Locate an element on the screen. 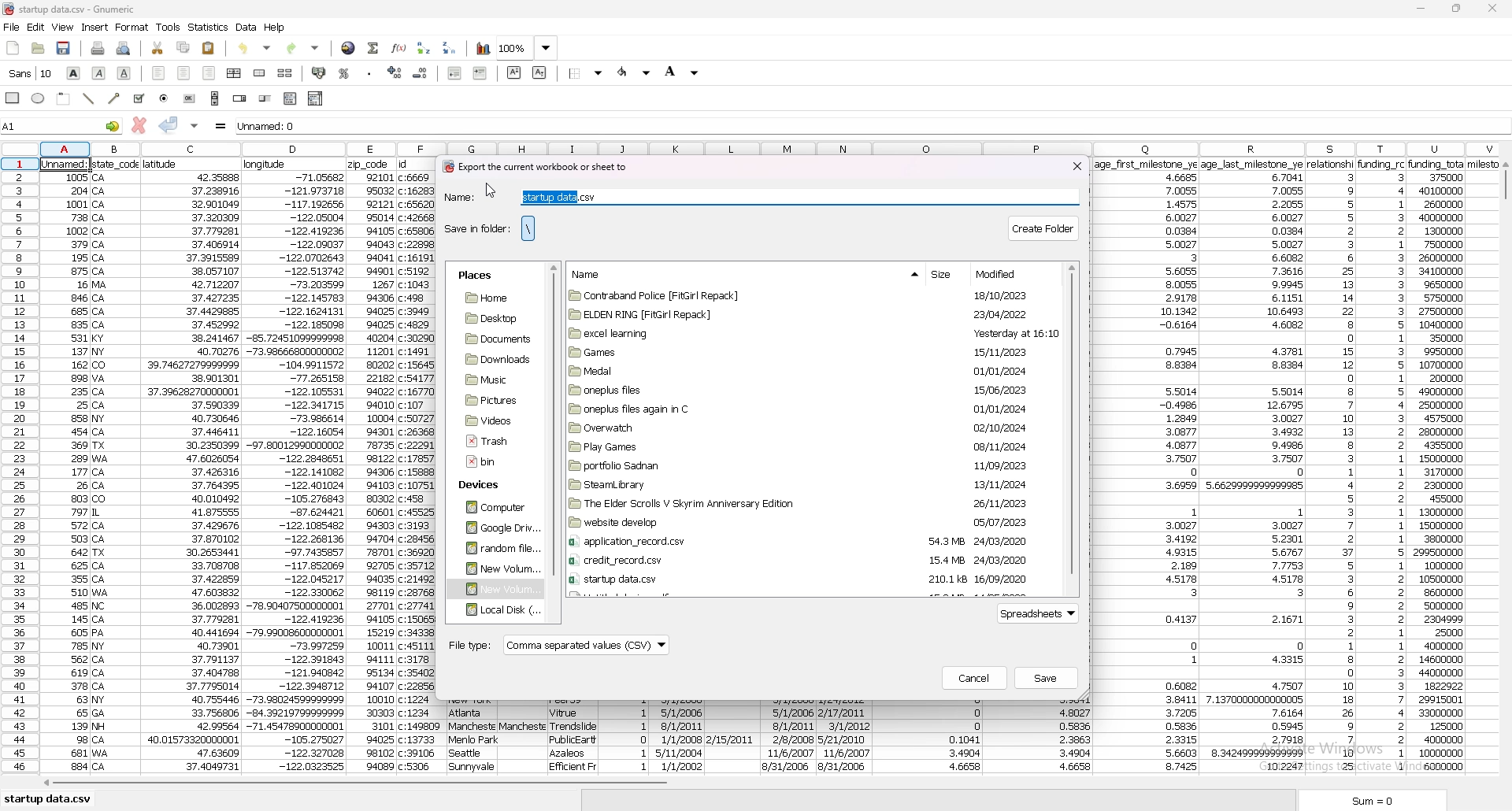 This screenshot has width=1512, height=811. cursor is located at coordinates (493, 190).